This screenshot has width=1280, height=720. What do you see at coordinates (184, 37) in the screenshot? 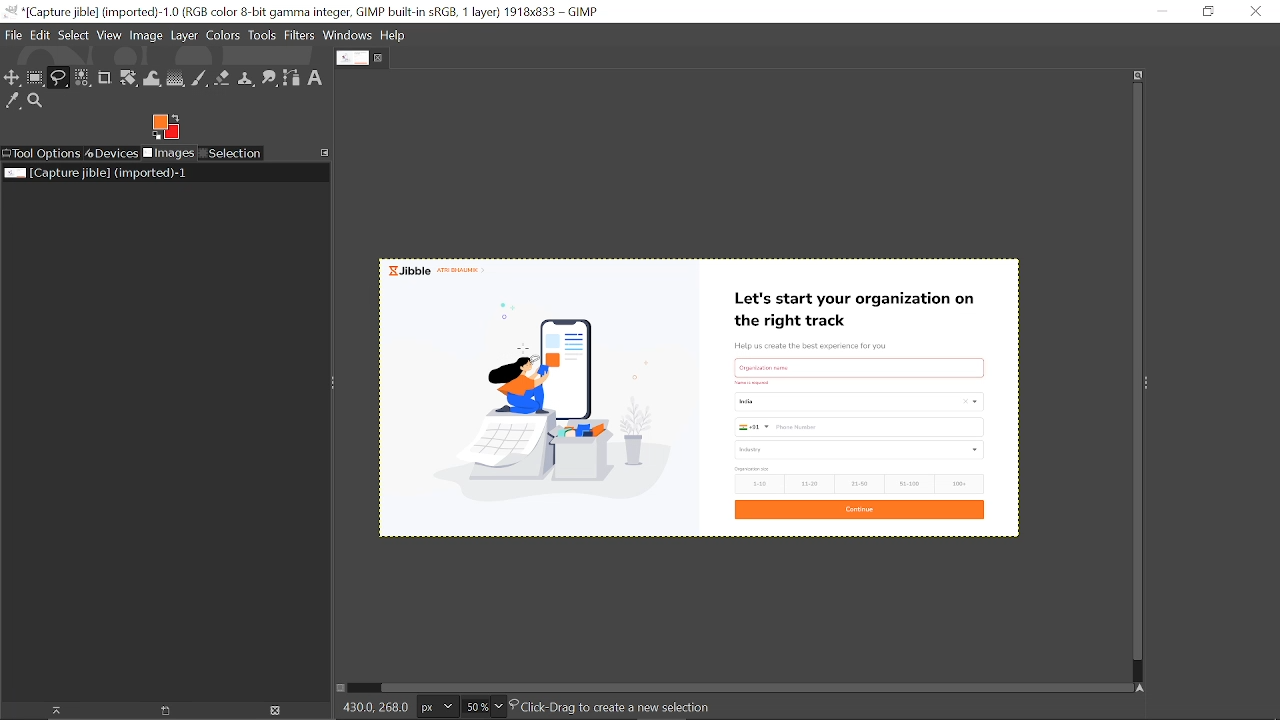
I see `Layer` at bounding box center [184, 37].